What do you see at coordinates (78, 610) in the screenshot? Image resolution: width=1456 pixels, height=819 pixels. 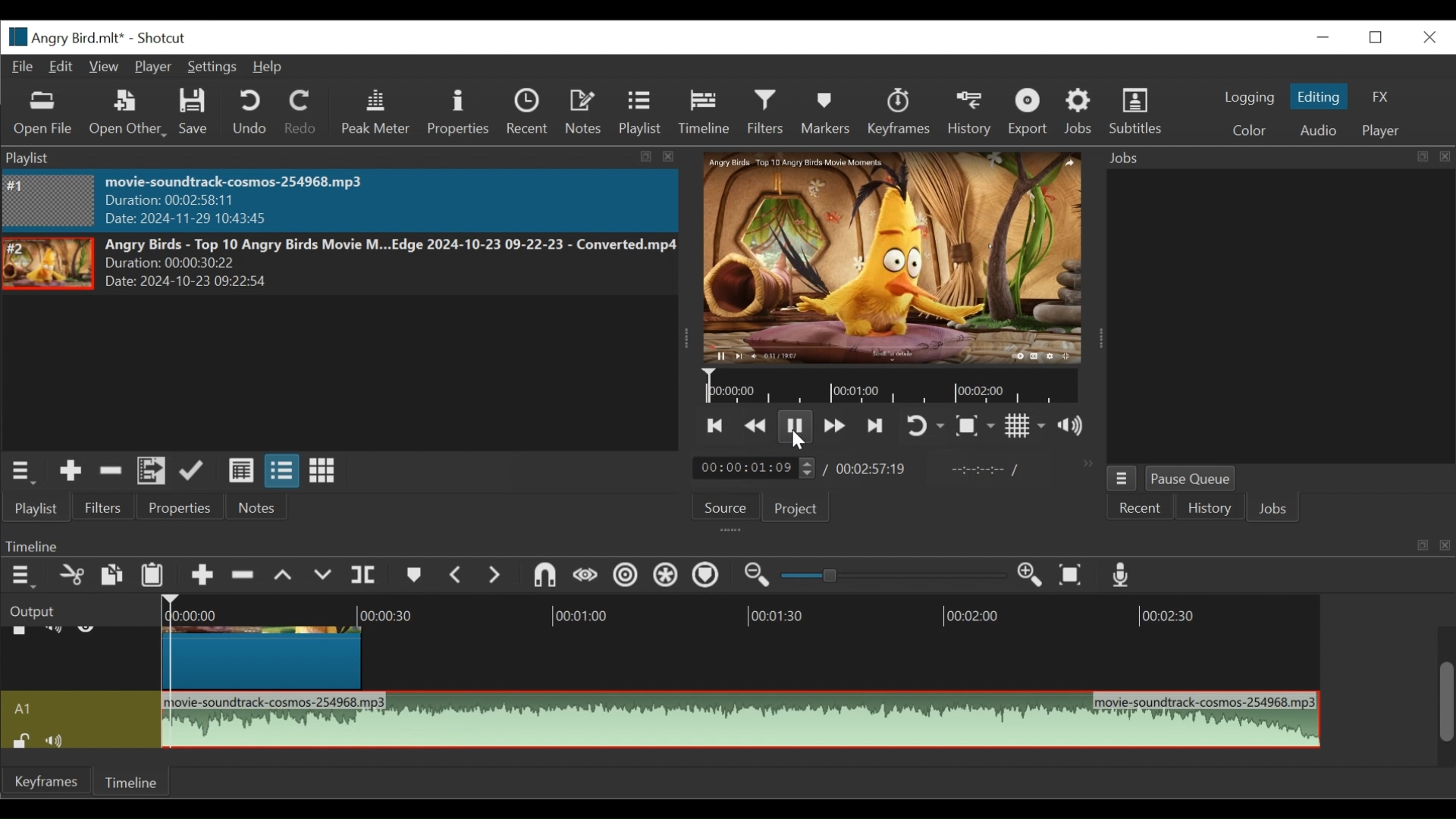 I see `Output` at bounding box center [78, 610].